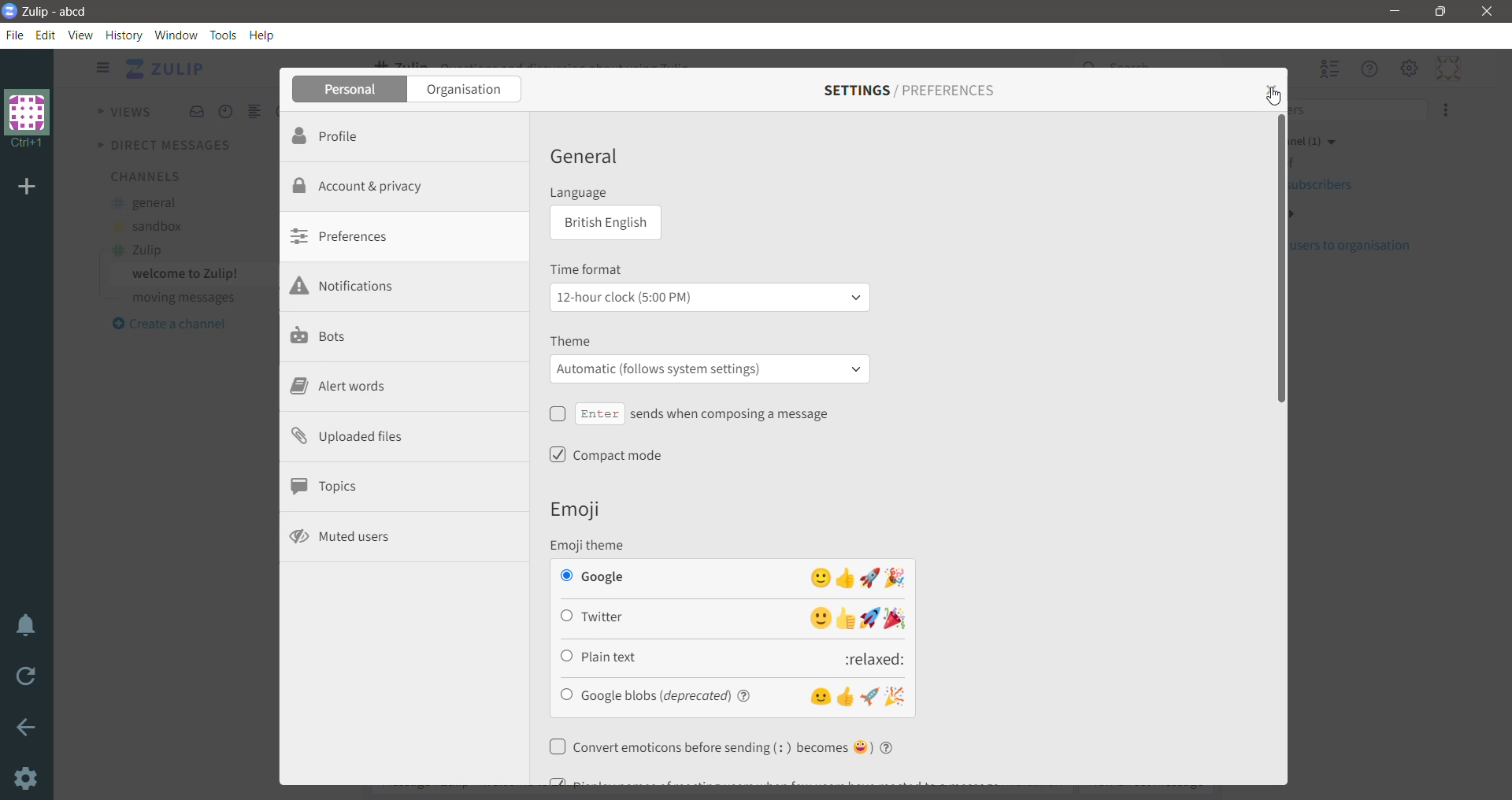 The width and height of the screenshot is (1512, 800). I want to click on Help Menu, so click(1369, 69).